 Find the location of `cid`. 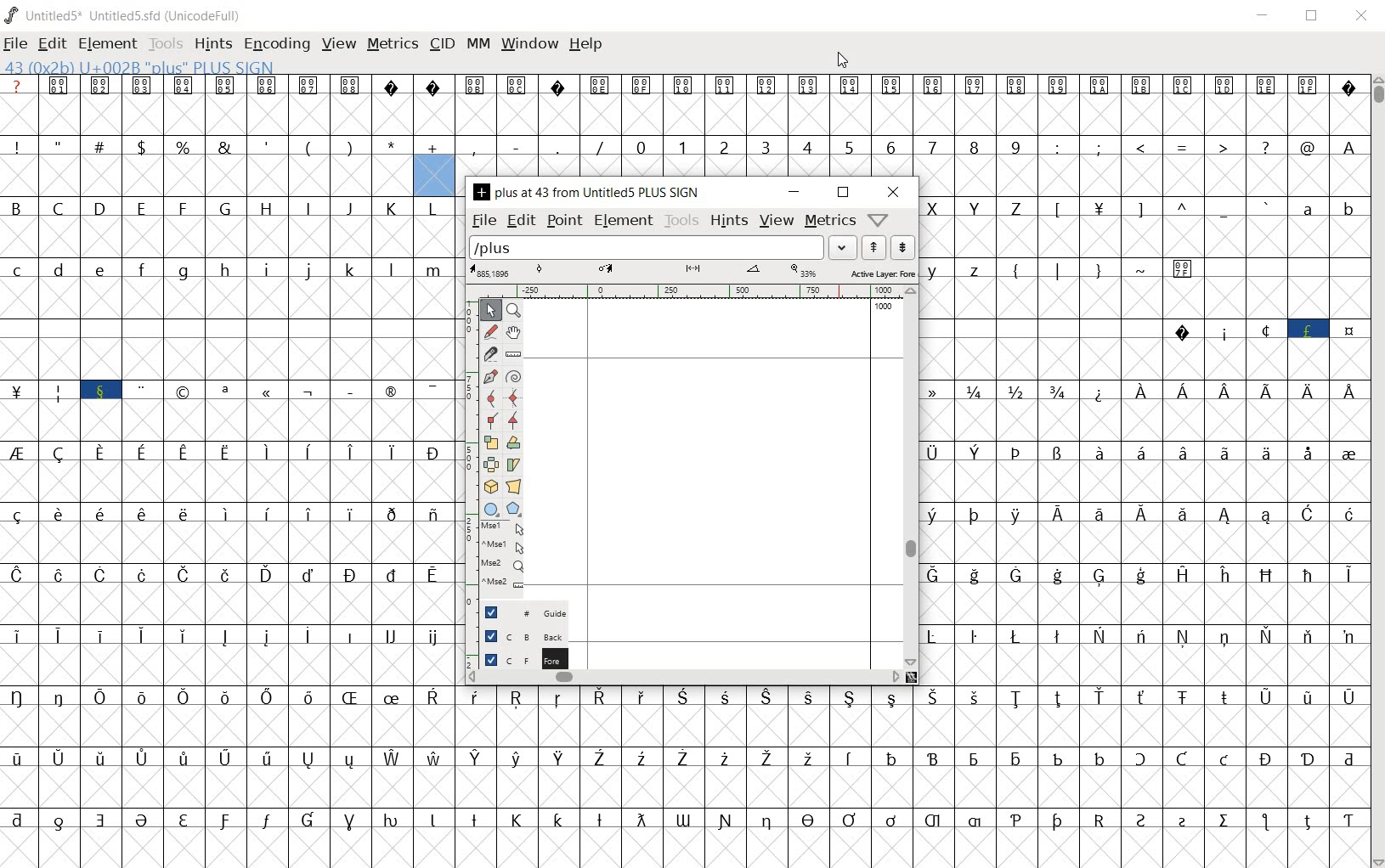

cid is located at coordinates (442, 42).